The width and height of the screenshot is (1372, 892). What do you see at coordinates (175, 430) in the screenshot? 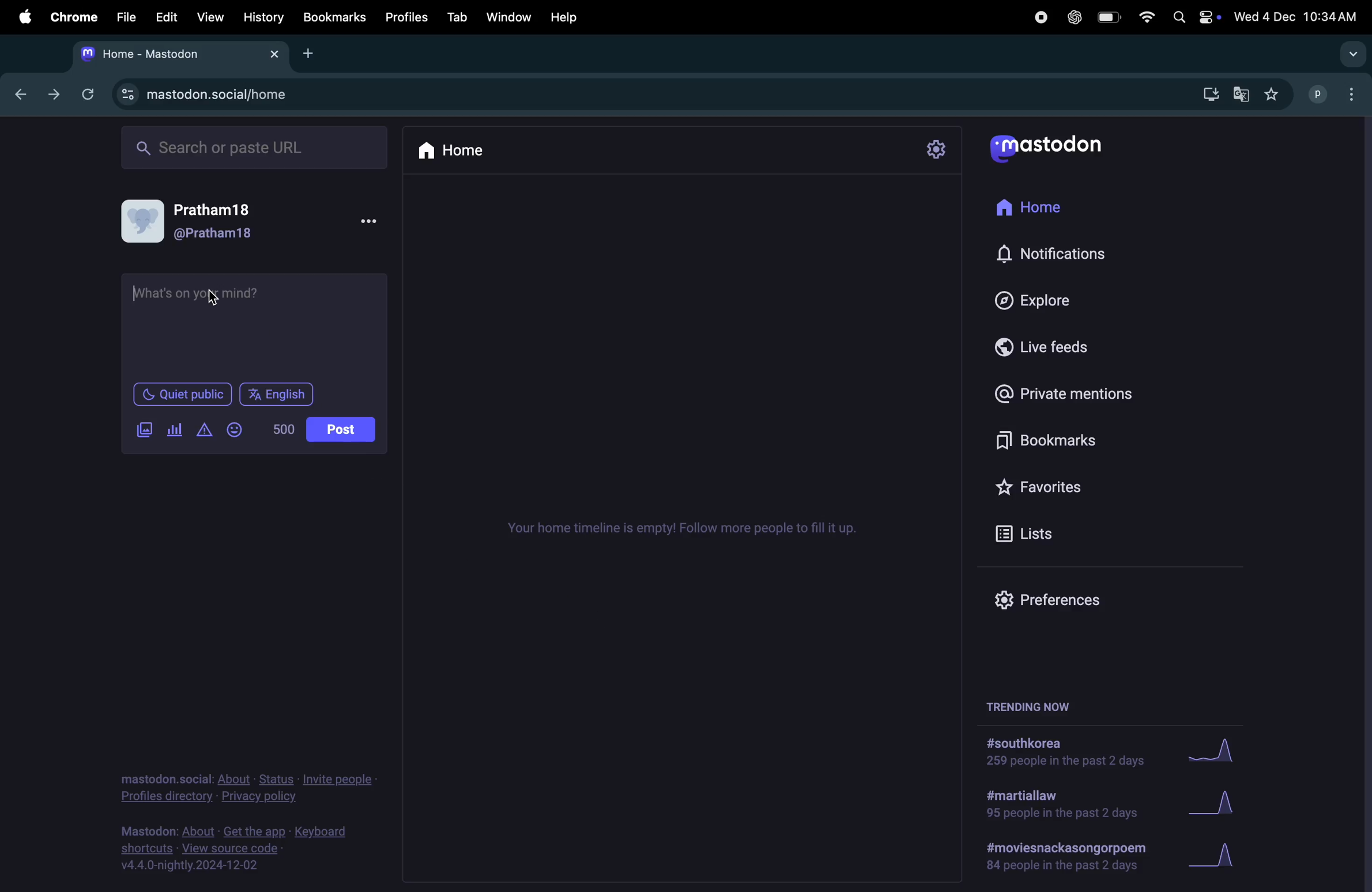
I see `poll` at bounding box center [175, 430].